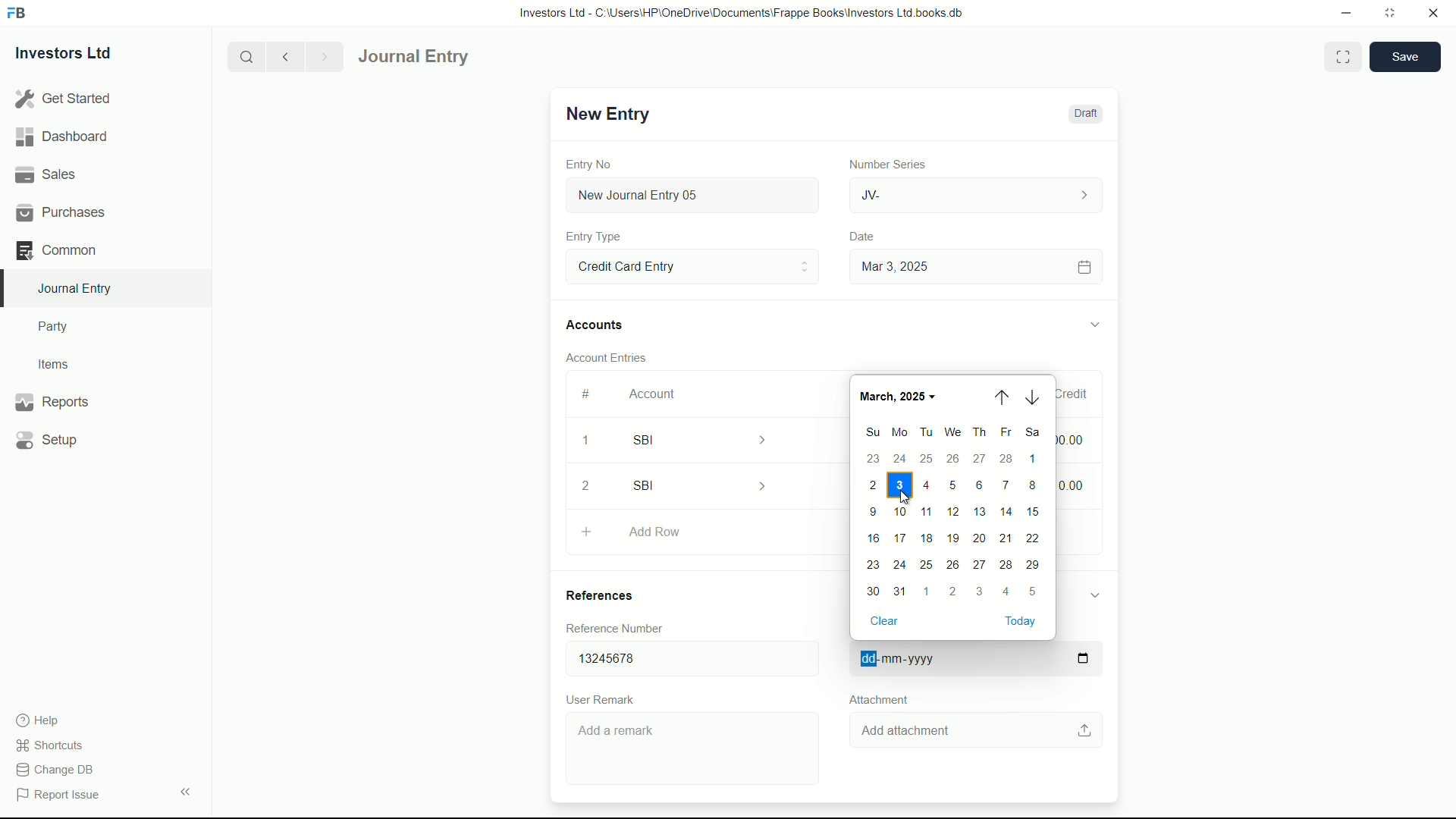  What do you see at coordinates (978, 193) in the screenshot?
I see `JV` at bounding box center [978, 193].